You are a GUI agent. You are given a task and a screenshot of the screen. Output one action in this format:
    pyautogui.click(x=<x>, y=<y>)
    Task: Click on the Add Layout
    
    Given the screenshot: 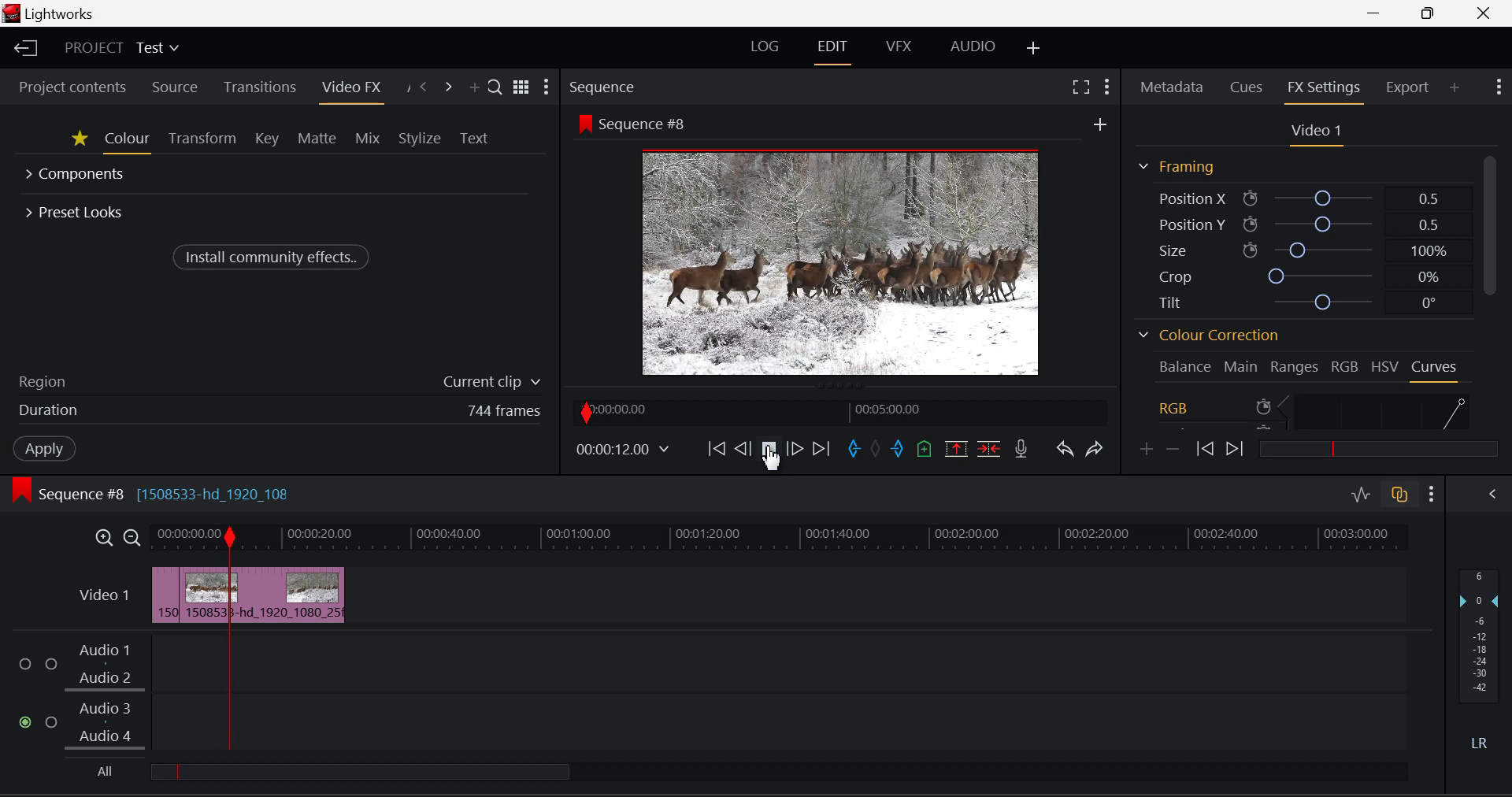 What is the action you would take?
    pyautogui.click(x=1035, y=50)
    